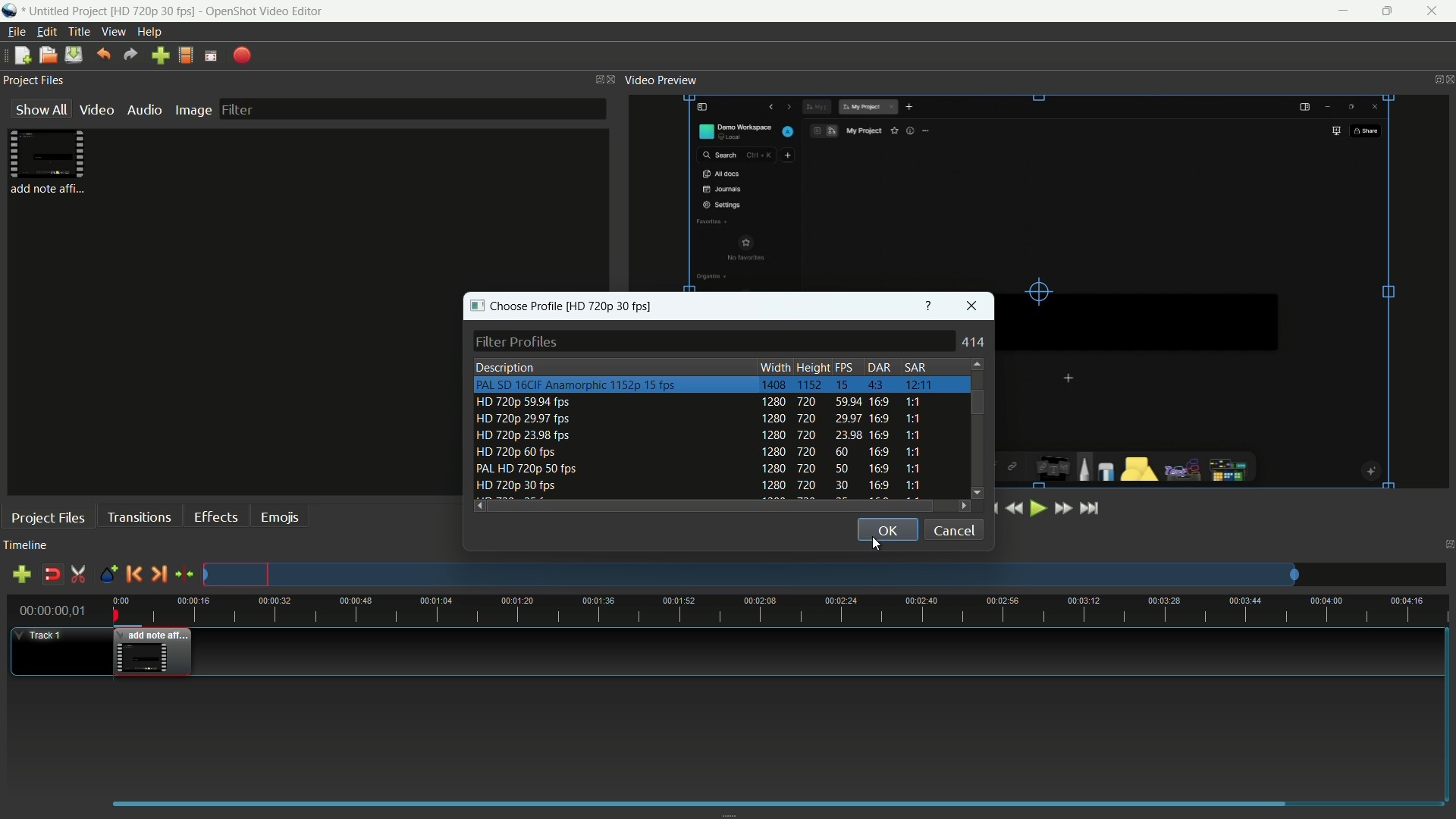 The image size is (1456, 819). I want to click on track-1, so click(58, 651).